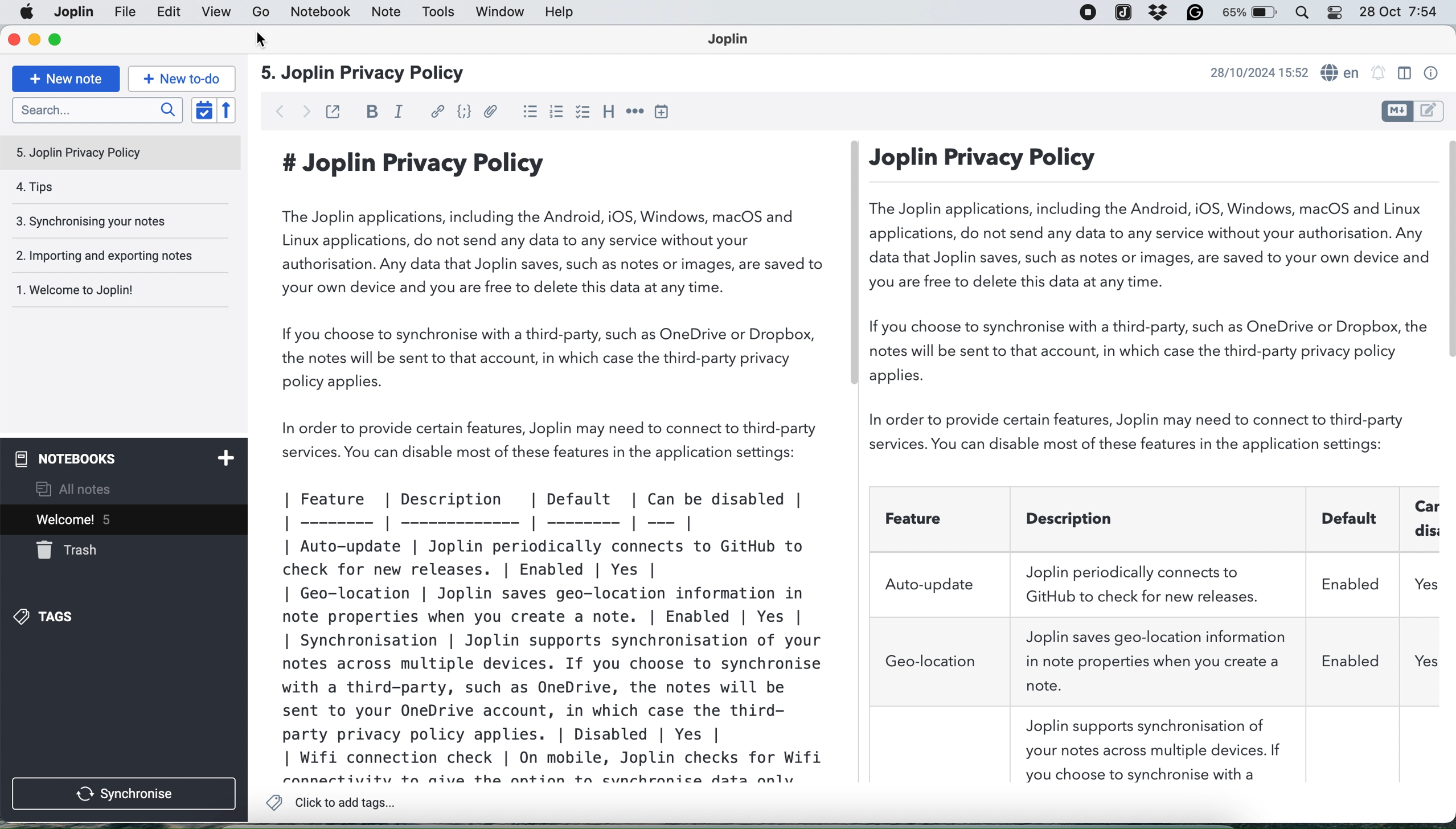 The width and height of the screenshot is (1456, 829). Describe the element at coordinates (735, 41) in the screenshot. I see `Joplin` at that location.